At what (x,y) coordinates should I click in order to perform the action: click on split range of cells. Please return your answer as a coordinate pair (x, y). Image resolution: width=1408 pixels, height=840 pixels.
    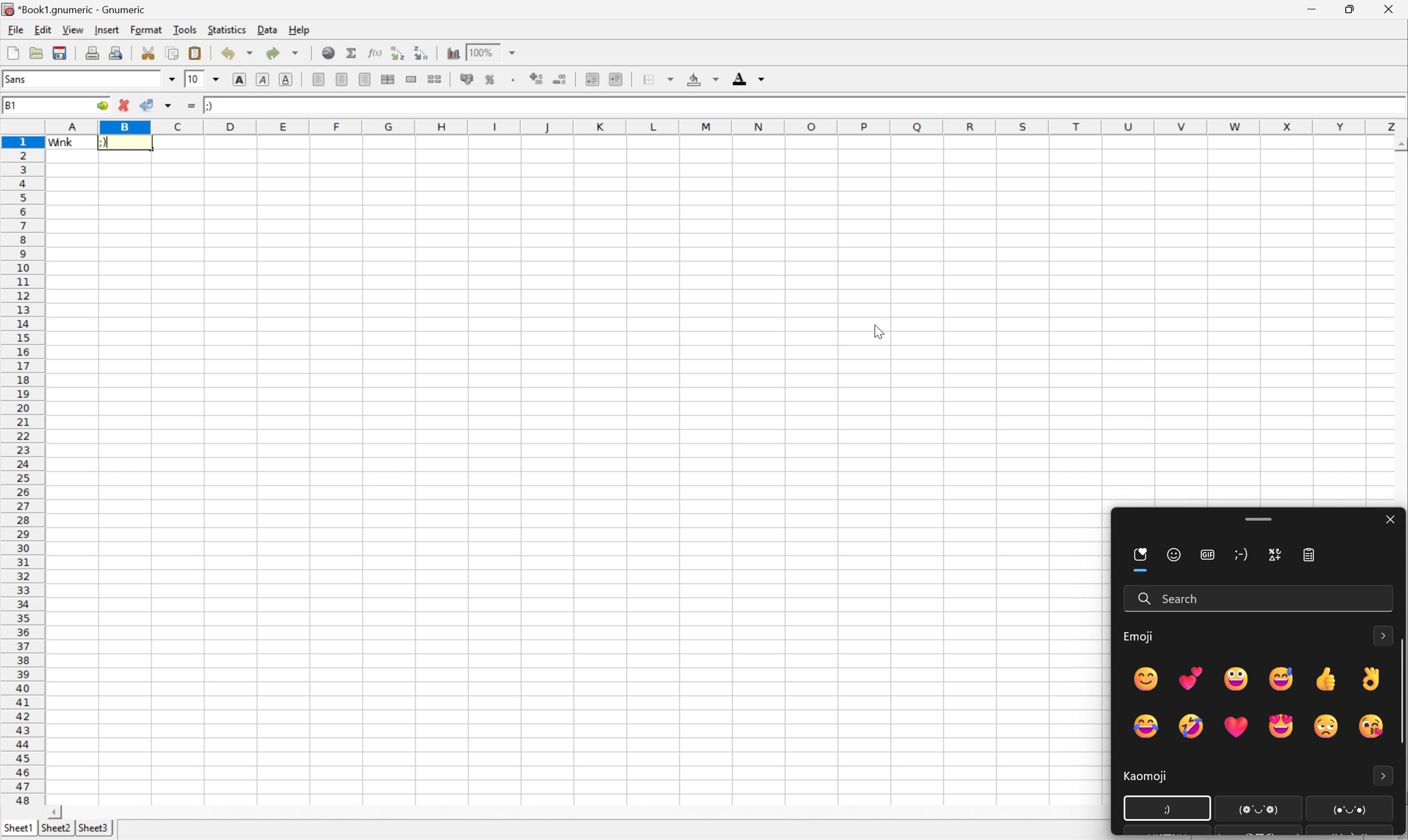
    Looking at the image, I should click on (413, 79).